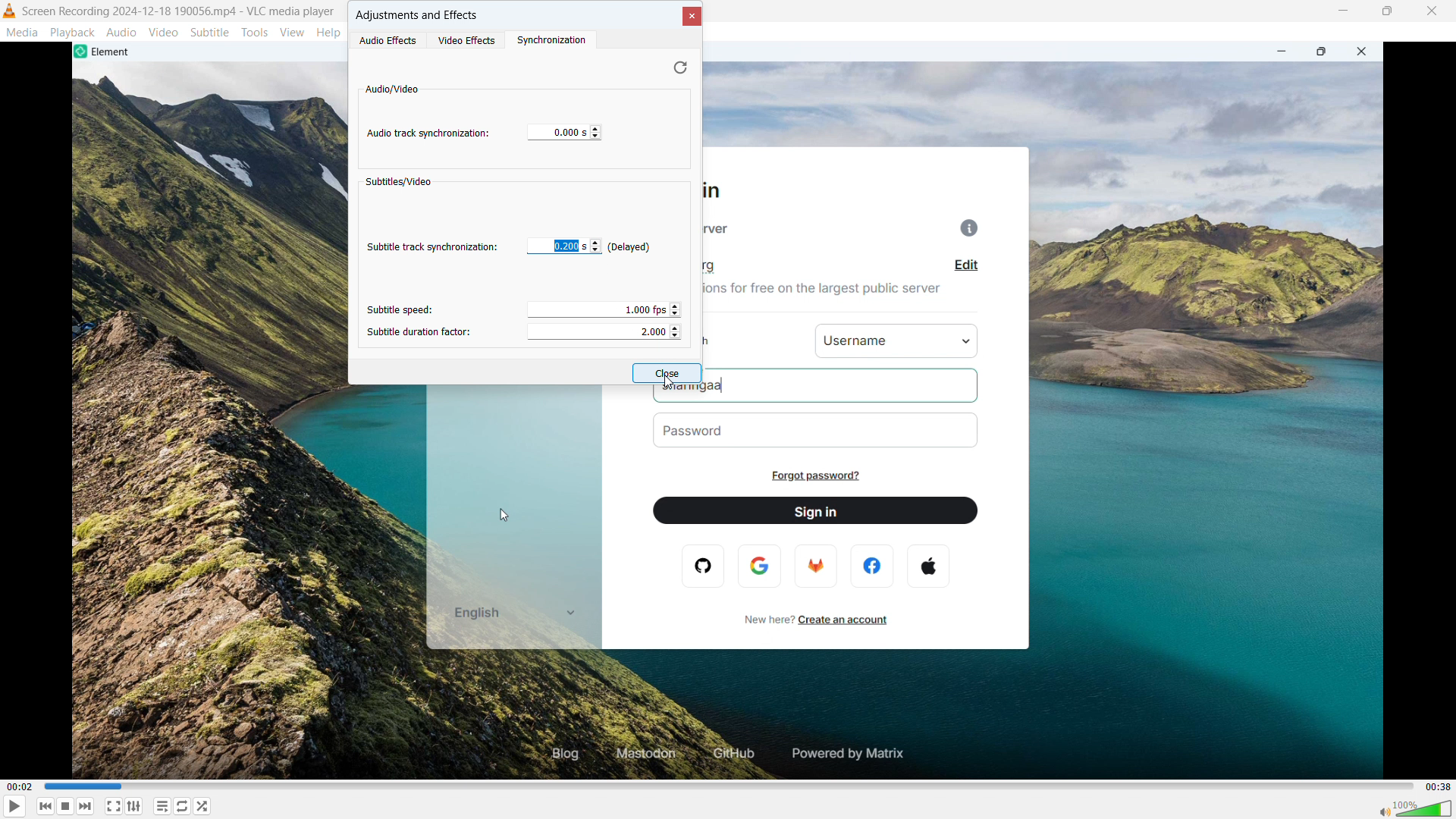  What do you see at coordinates (679, 67) in the screenshot?
I see `undo change` at bounding box center [679, 67].